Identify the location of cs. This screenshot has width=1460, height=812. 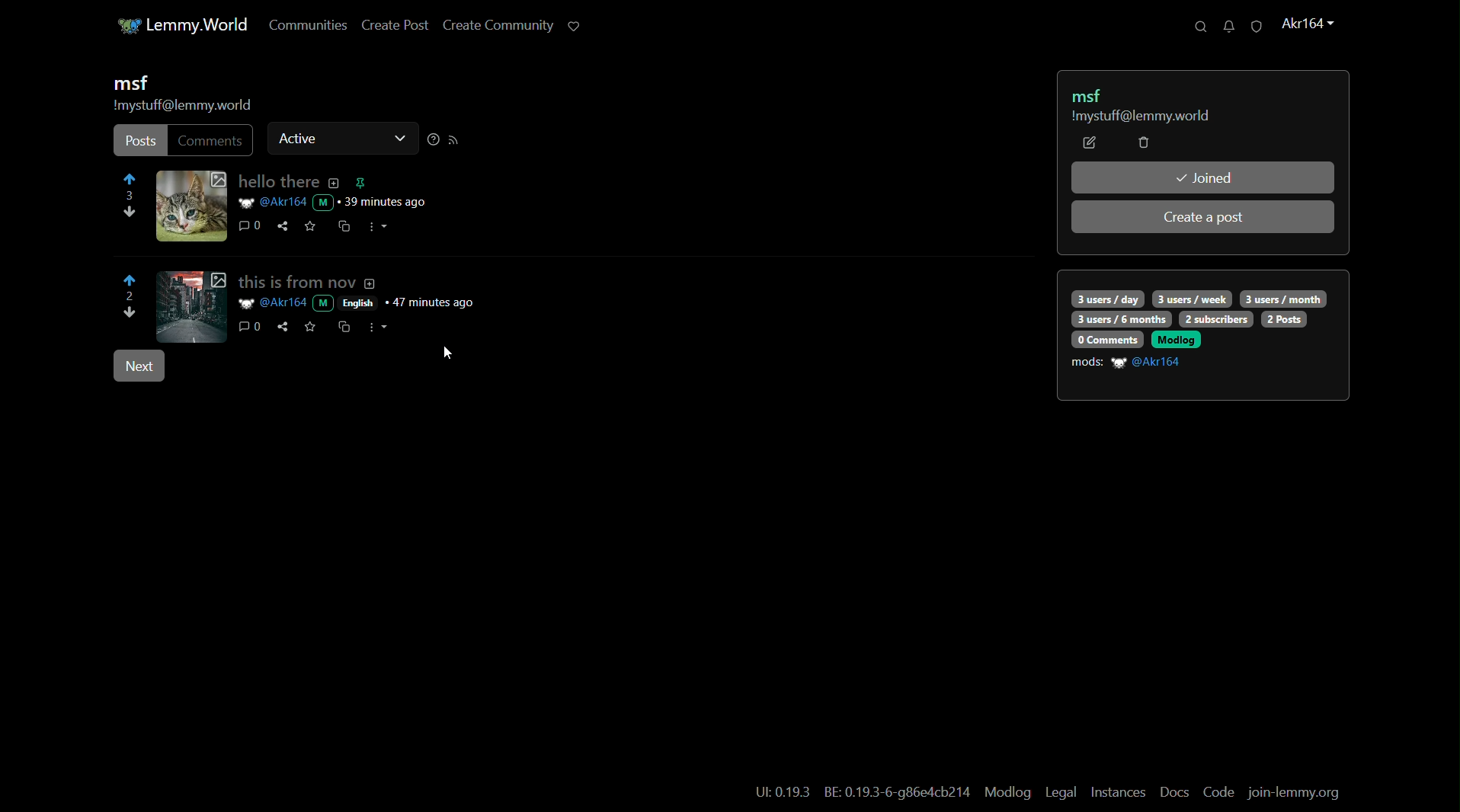
(343, 326).